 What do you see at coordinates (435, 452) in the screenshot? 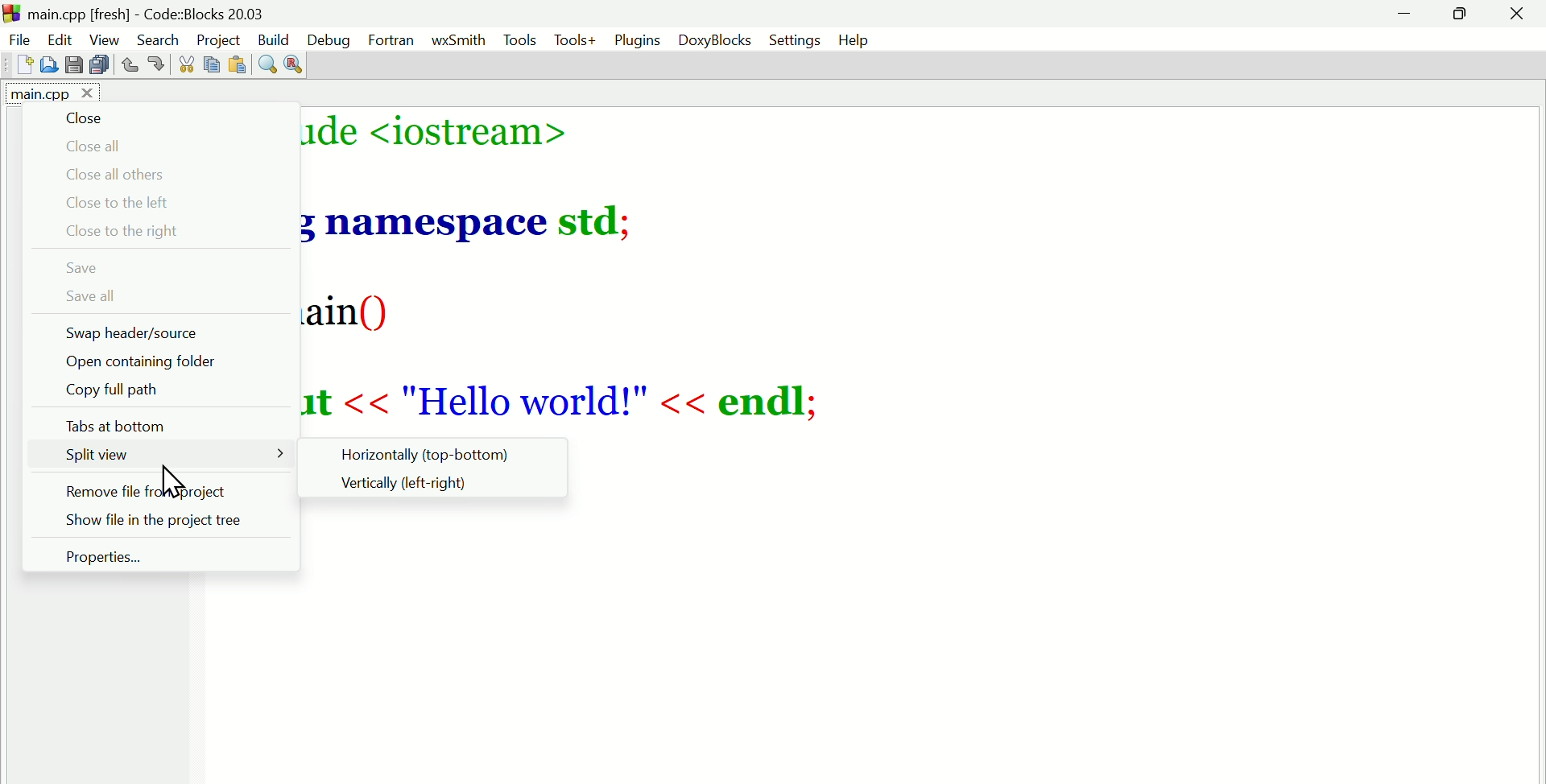
I see `Horizontally top to bottom` at bounding box center [435, 452].